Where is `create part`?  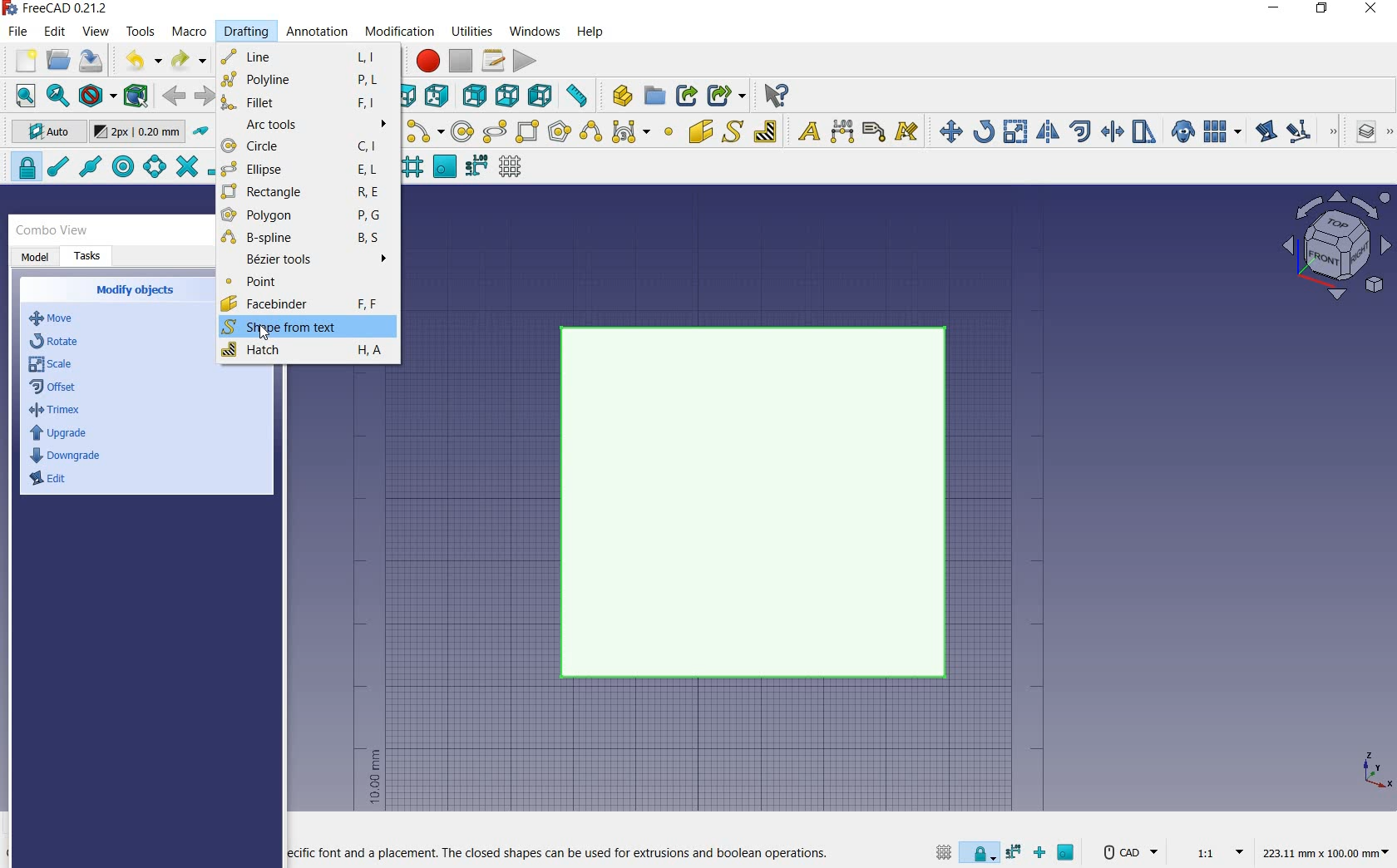 create part is located at coordinates (619, 95).